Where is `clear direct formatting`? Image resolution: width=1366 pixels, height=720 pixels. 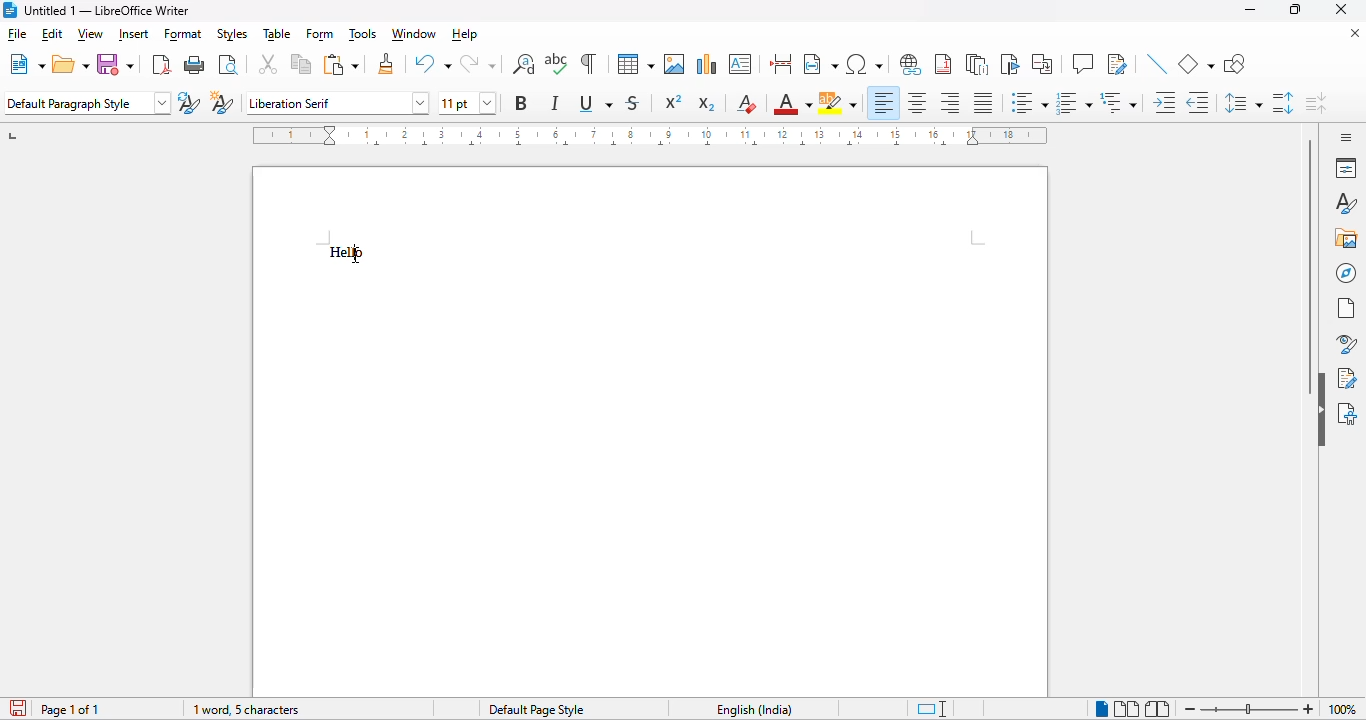
clear direct formatting is located at coordinates (746, 105).